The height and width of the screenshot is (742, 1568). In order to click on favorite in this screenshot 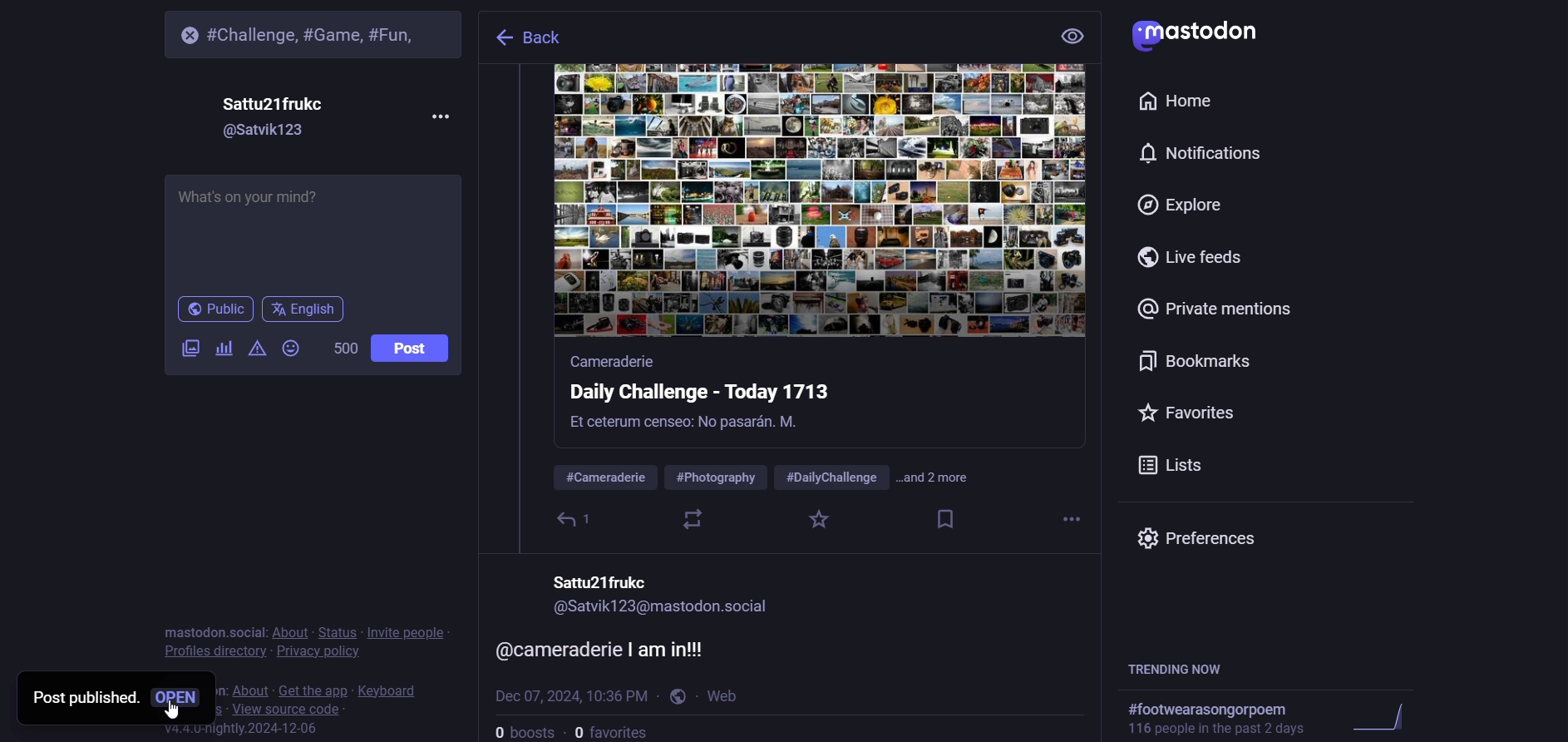, I will do `click(824, 519)`.